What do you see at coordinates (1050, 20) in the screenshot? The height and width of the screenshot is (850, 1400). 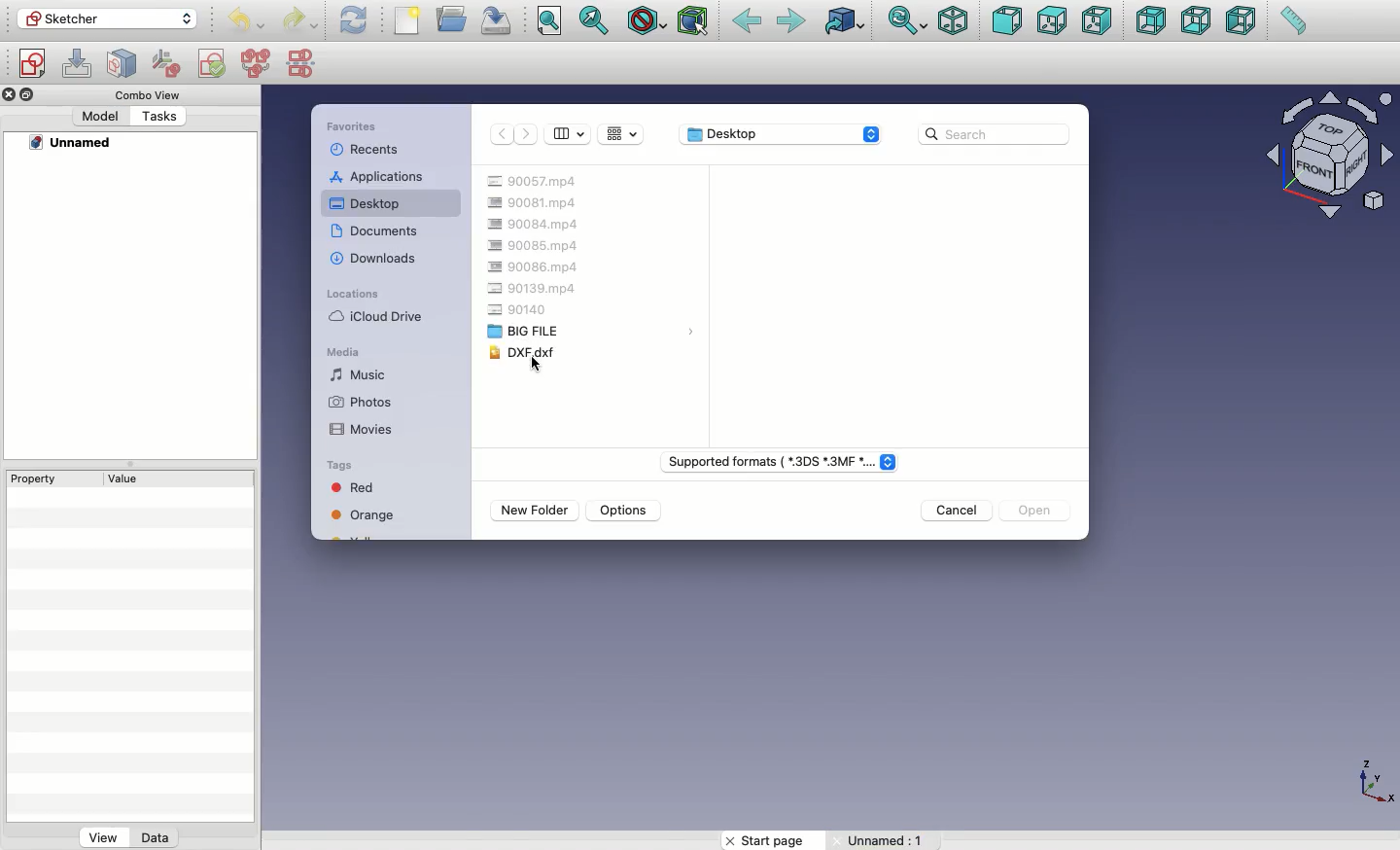 I see `Top` at bounding box center [1050, 20].